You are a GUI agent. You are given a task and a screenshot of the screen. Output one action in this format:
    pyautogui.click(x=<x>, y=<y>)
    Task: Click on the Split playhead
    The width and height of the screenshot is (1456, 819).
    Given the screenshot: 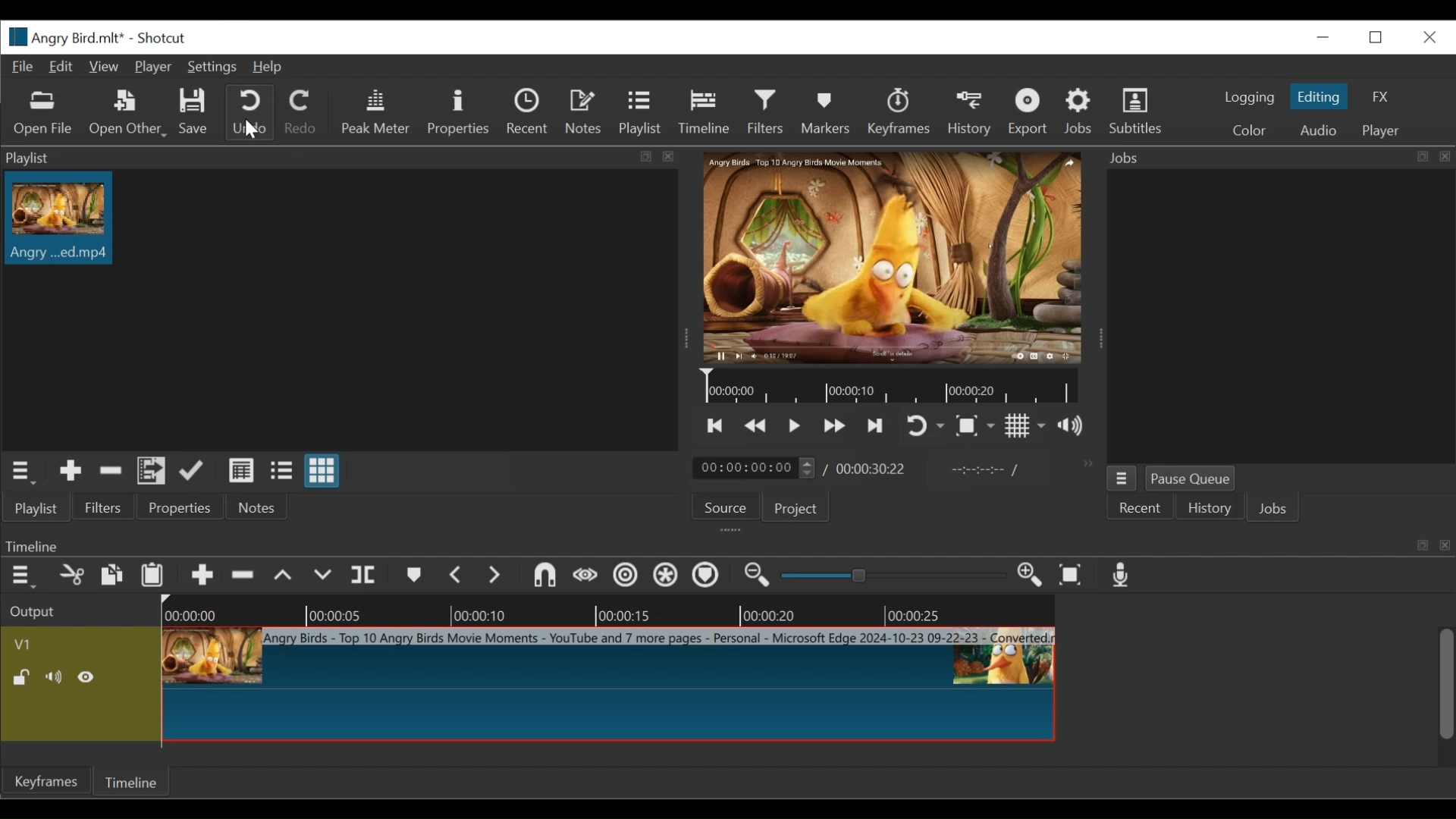 What is the action you would take?
    pyautogui.click(x=366, y=576)
    